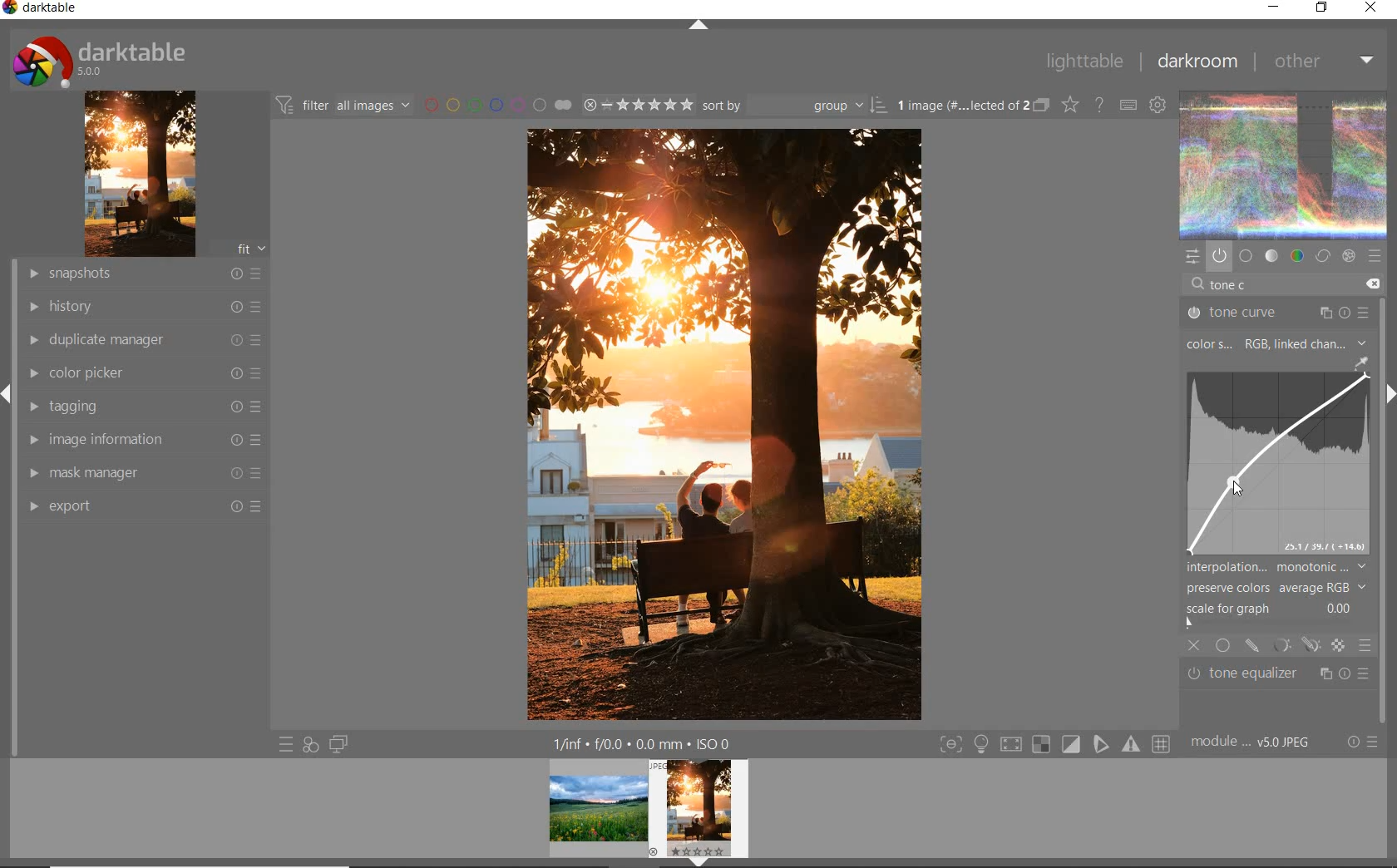 Image resolution: width=1397 pixels, height=868 pixels. What do you see at coordinates (1235, 284) in the screenshot?
I see `INPUT VALUE` at bounding box center [1235, 284].